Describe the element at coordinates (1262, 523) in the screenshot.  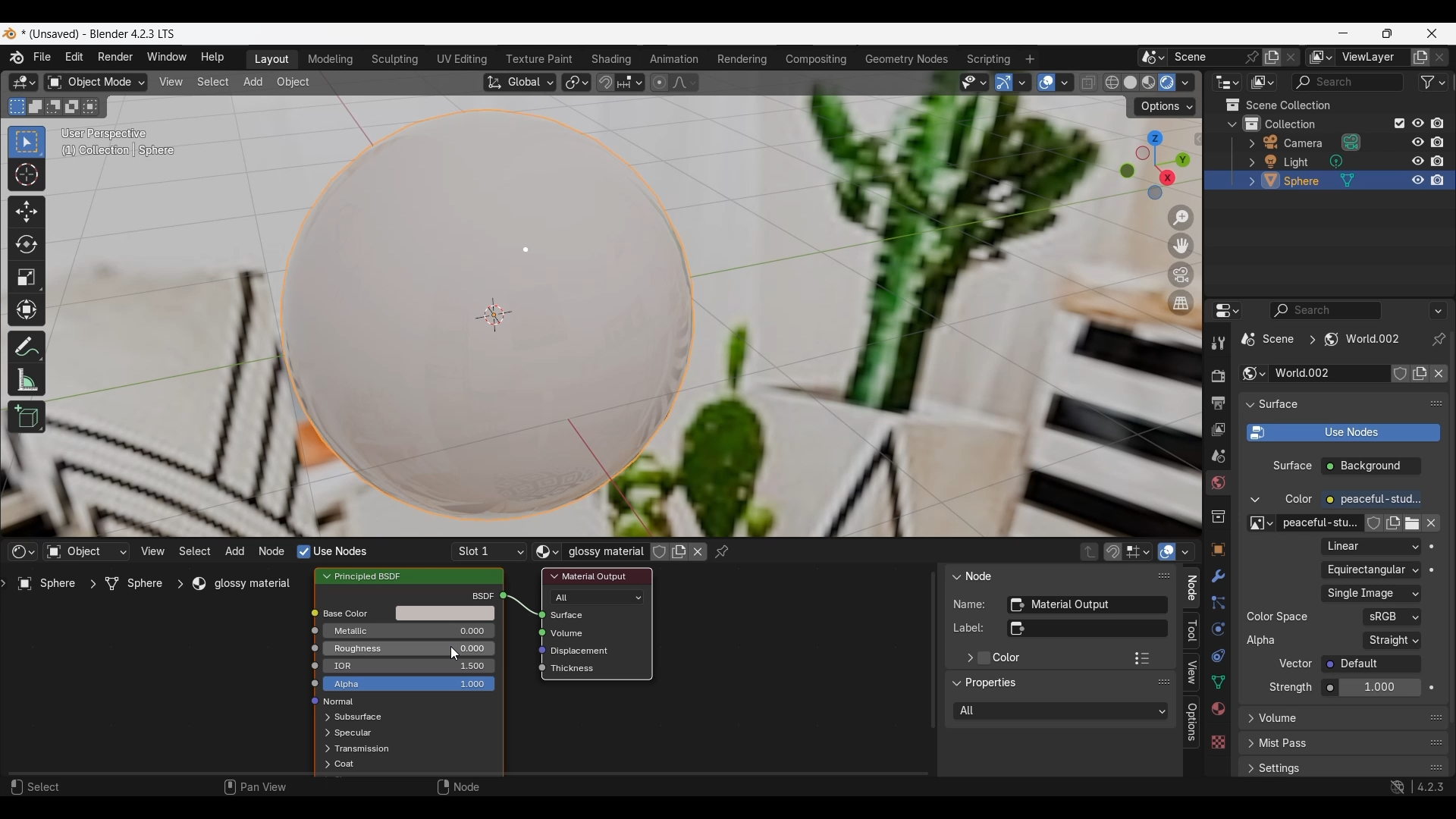
I see `Browse image to be linked` at that location.